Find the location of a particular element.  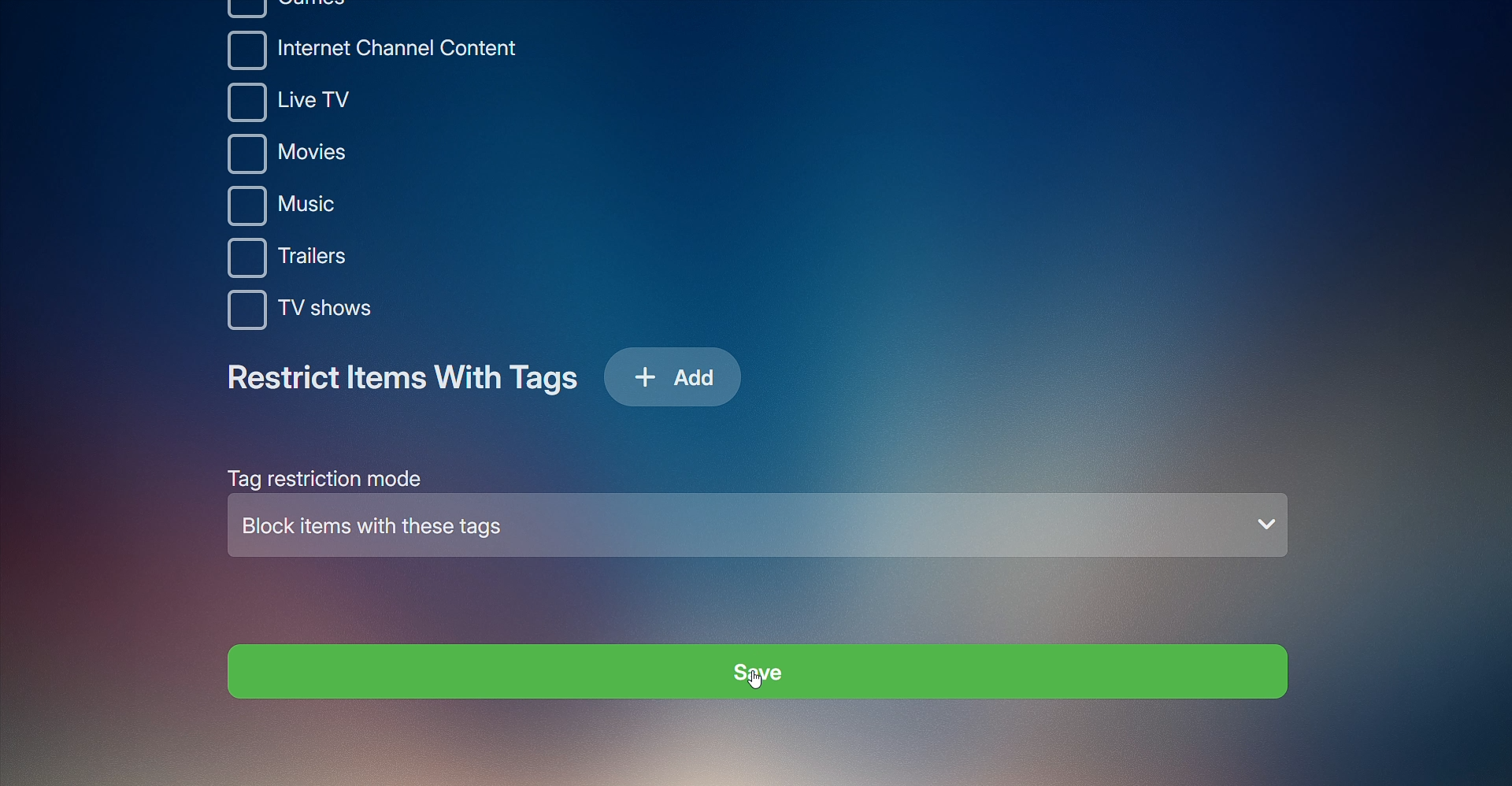

Games is located at coordinates (290, 9).